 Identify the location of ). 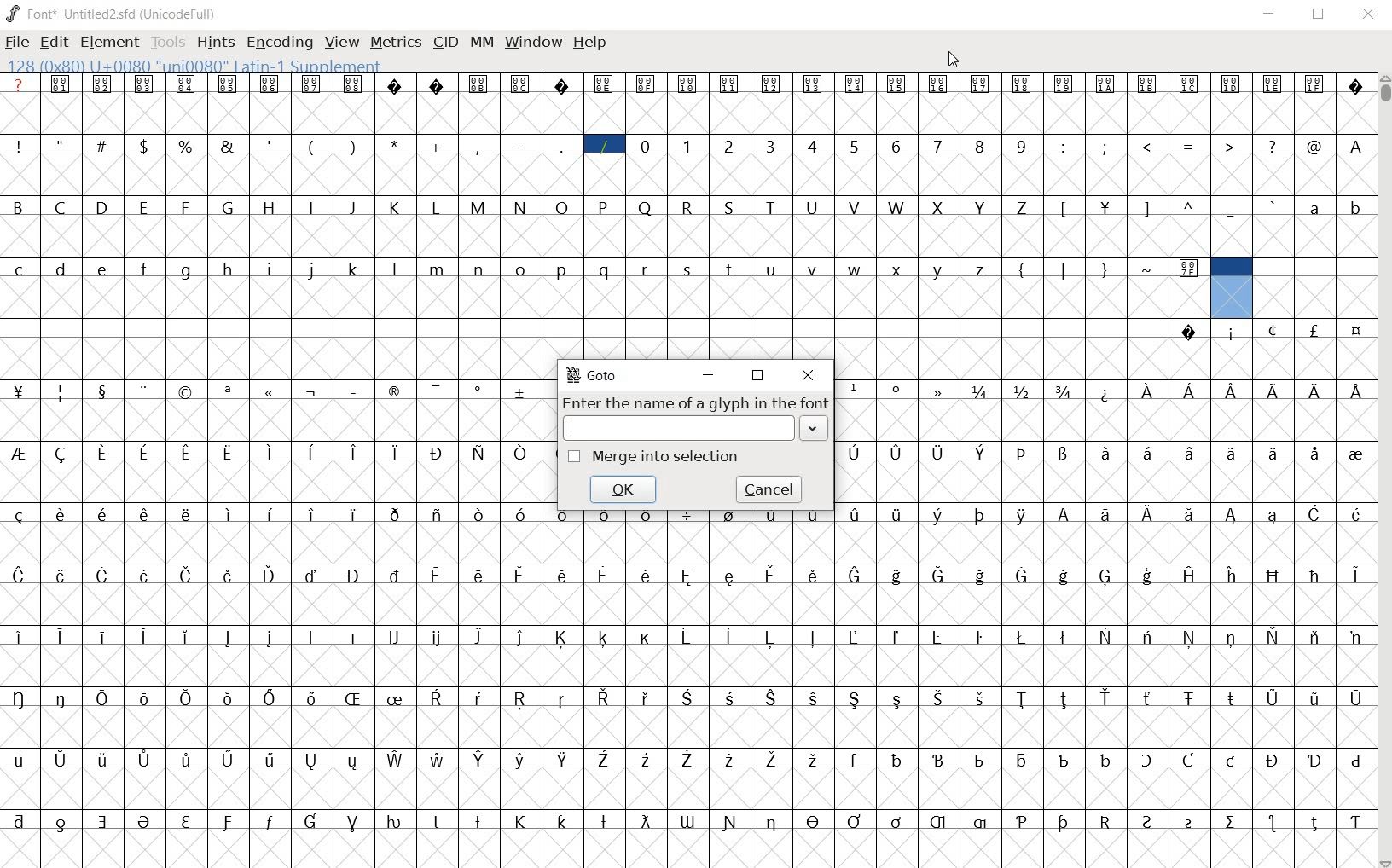
(356, 146).